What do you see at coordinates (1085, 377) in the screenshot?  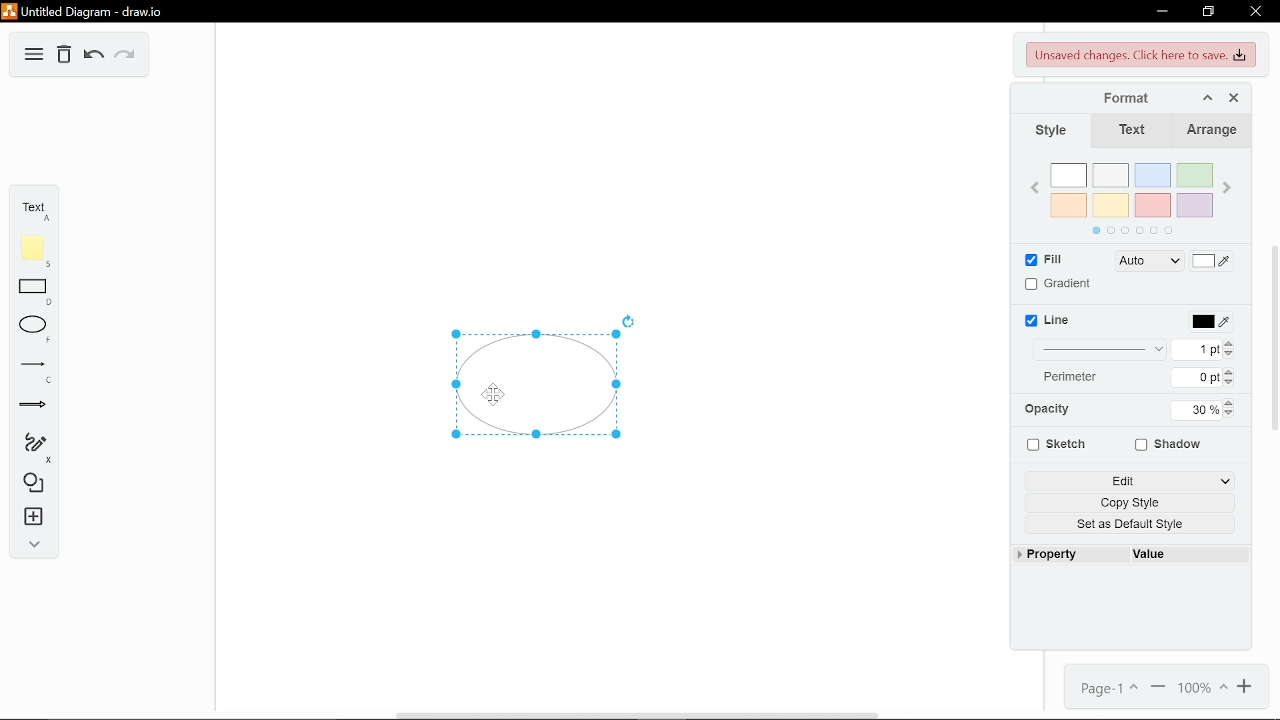 I see `Perimeter` at bounding box center [1085, 377].